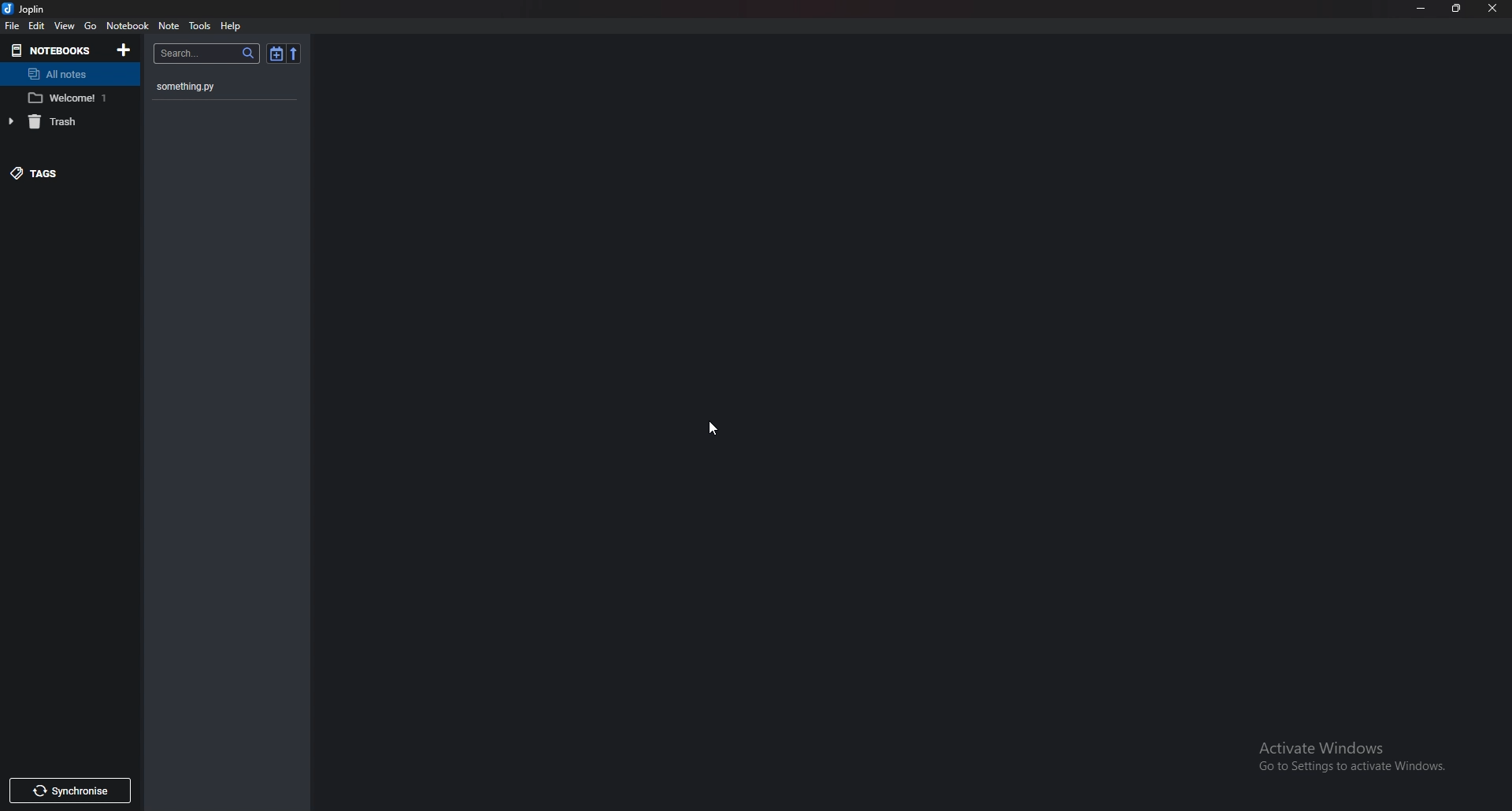 The width and height of the screenshot is (1512, 811). Describe the element at coordinates (1422, 9) in the screenshot. I see `Minimize` at that location.